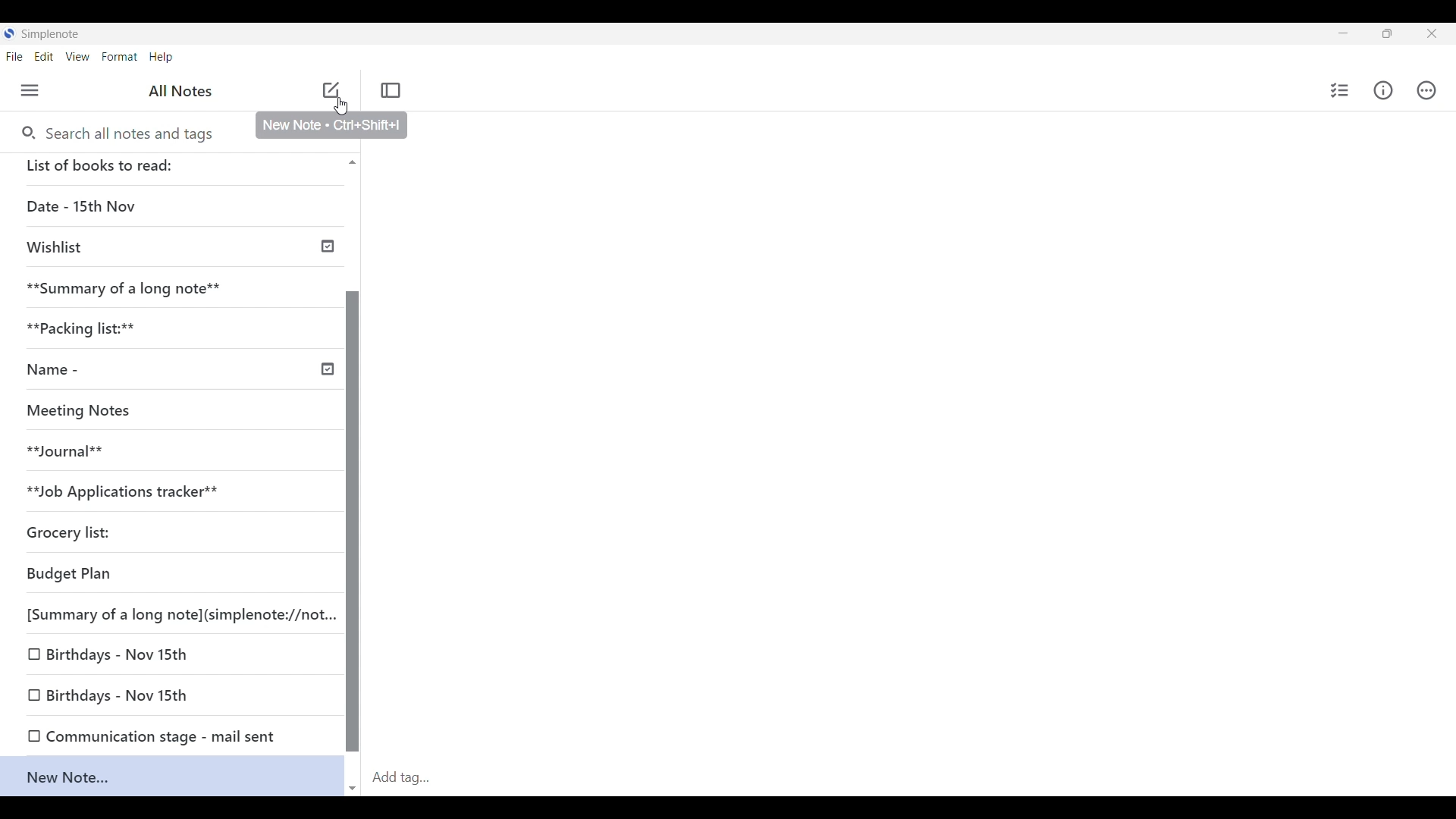 This screenshot has width=1456, height=819. I want to click on **Packing list:**, so click(153, 328).